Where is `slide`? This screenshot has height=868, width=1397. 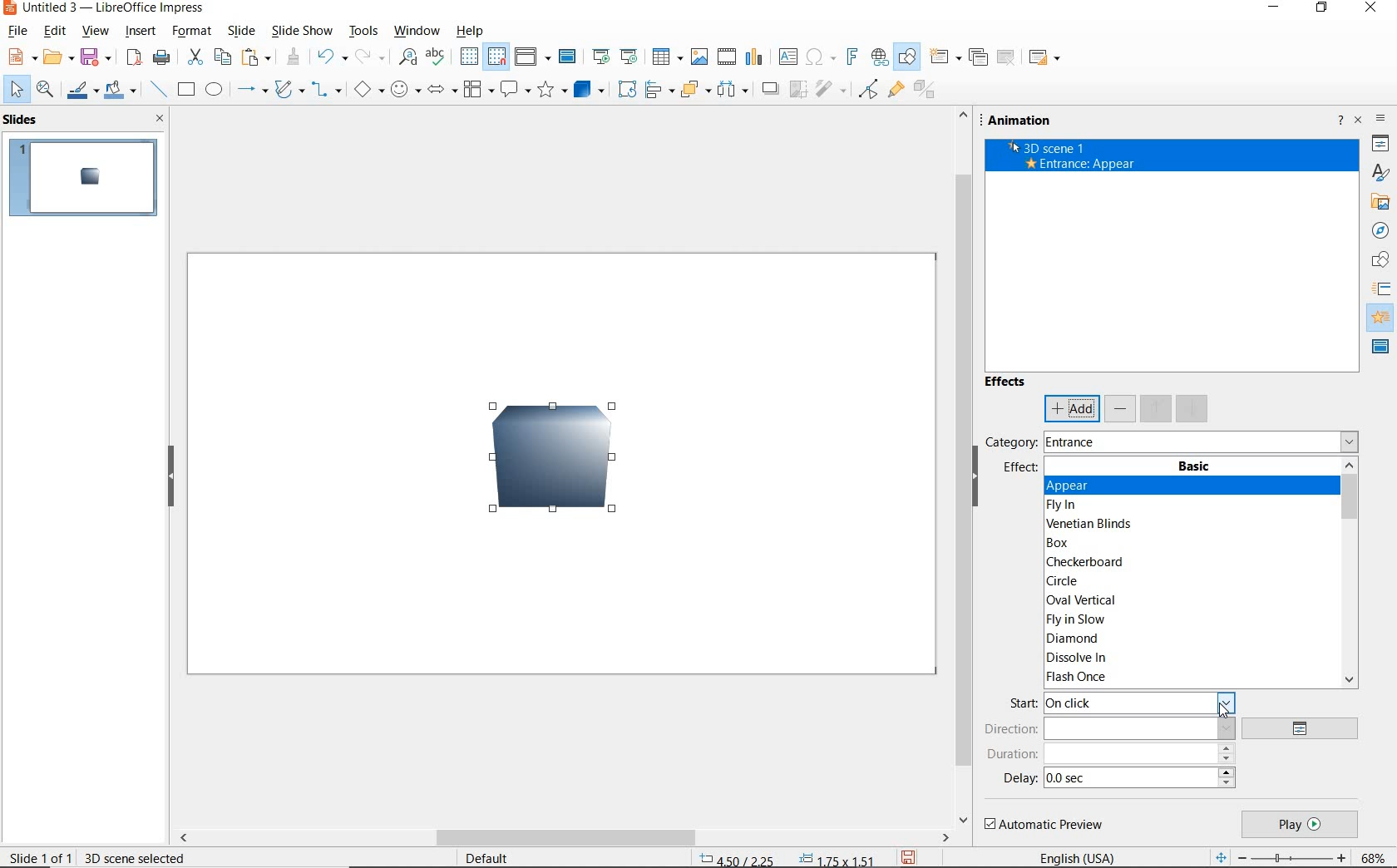 slide is located at coordinates (240, 31).